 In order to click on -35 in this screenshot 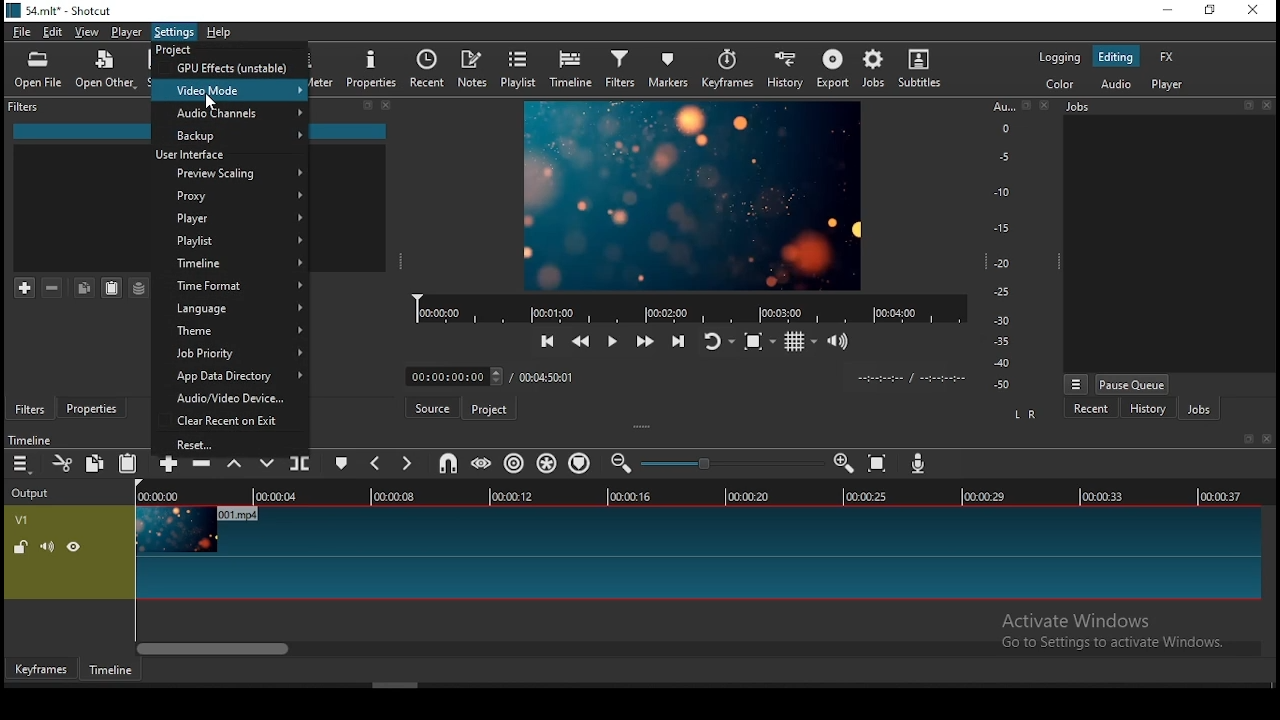, I will do `click(998, 342)`.